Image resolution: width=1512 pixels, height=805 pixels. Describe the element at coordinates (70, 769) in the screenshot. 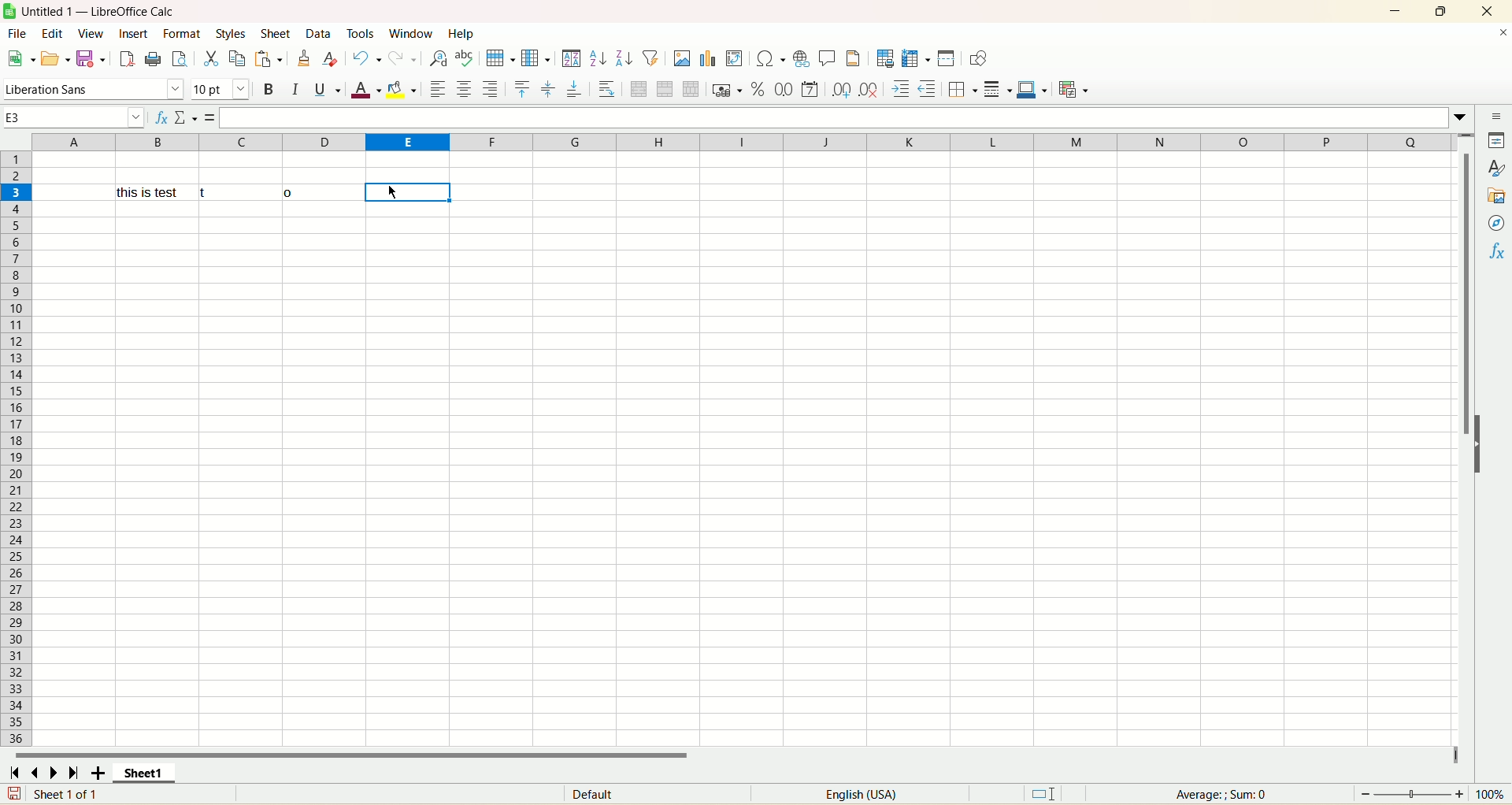

I see `scroll to last sheet` at that location.